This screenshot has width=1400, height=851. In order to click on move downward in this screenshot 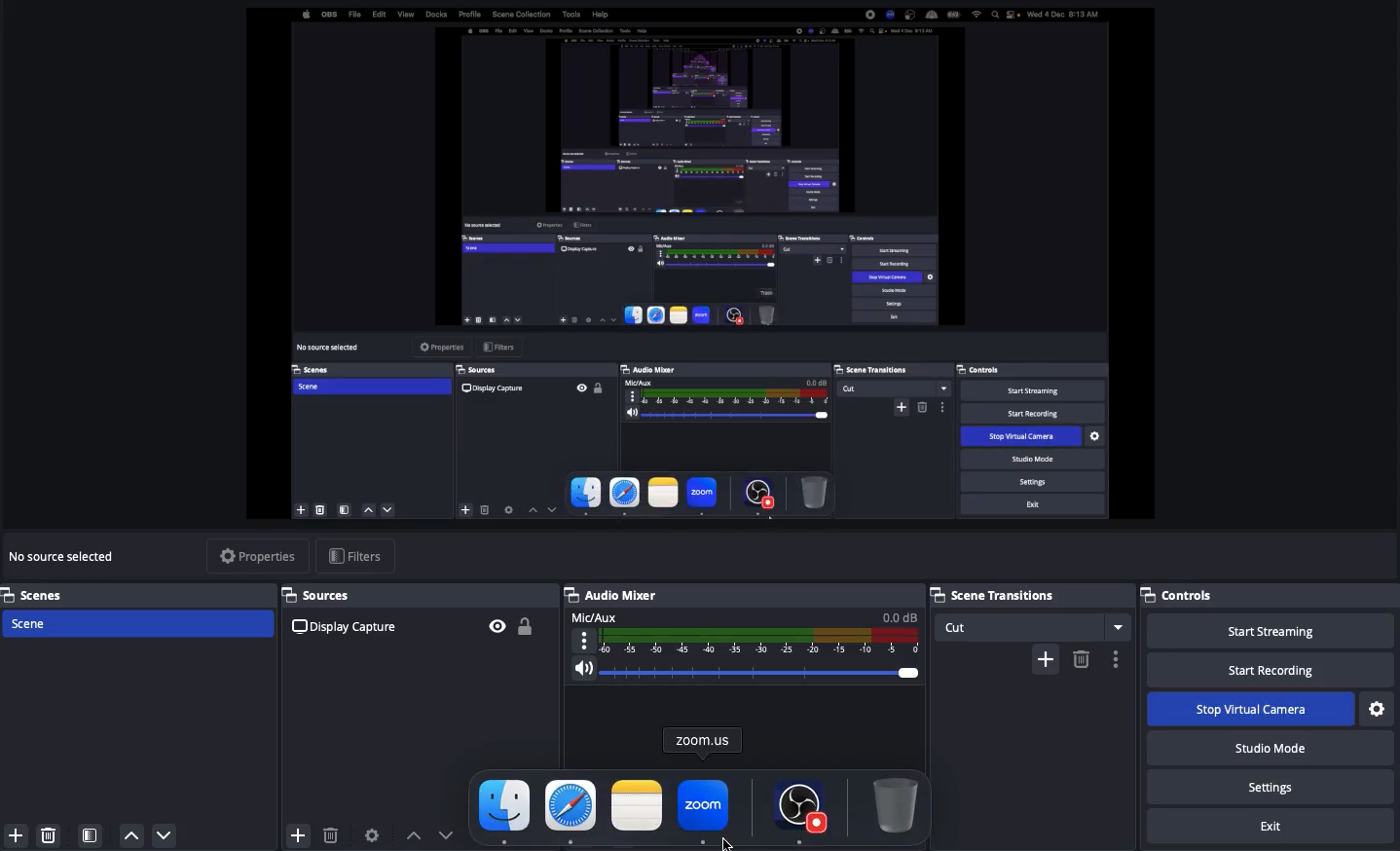, I will do `click(453, 833)`.